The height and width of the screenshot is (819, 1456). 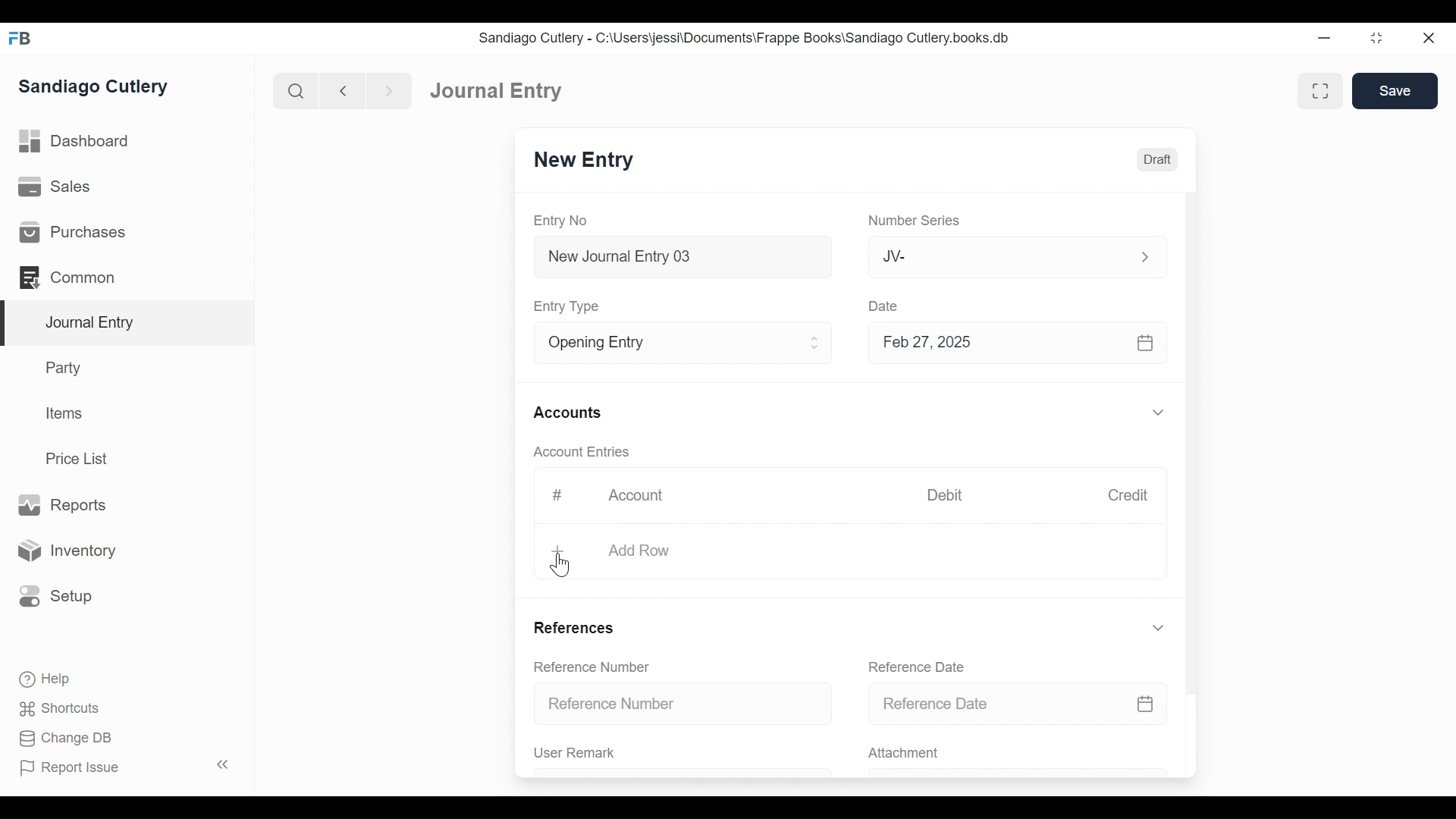 I want to click on Report Issue, so click(x=71, y=768).